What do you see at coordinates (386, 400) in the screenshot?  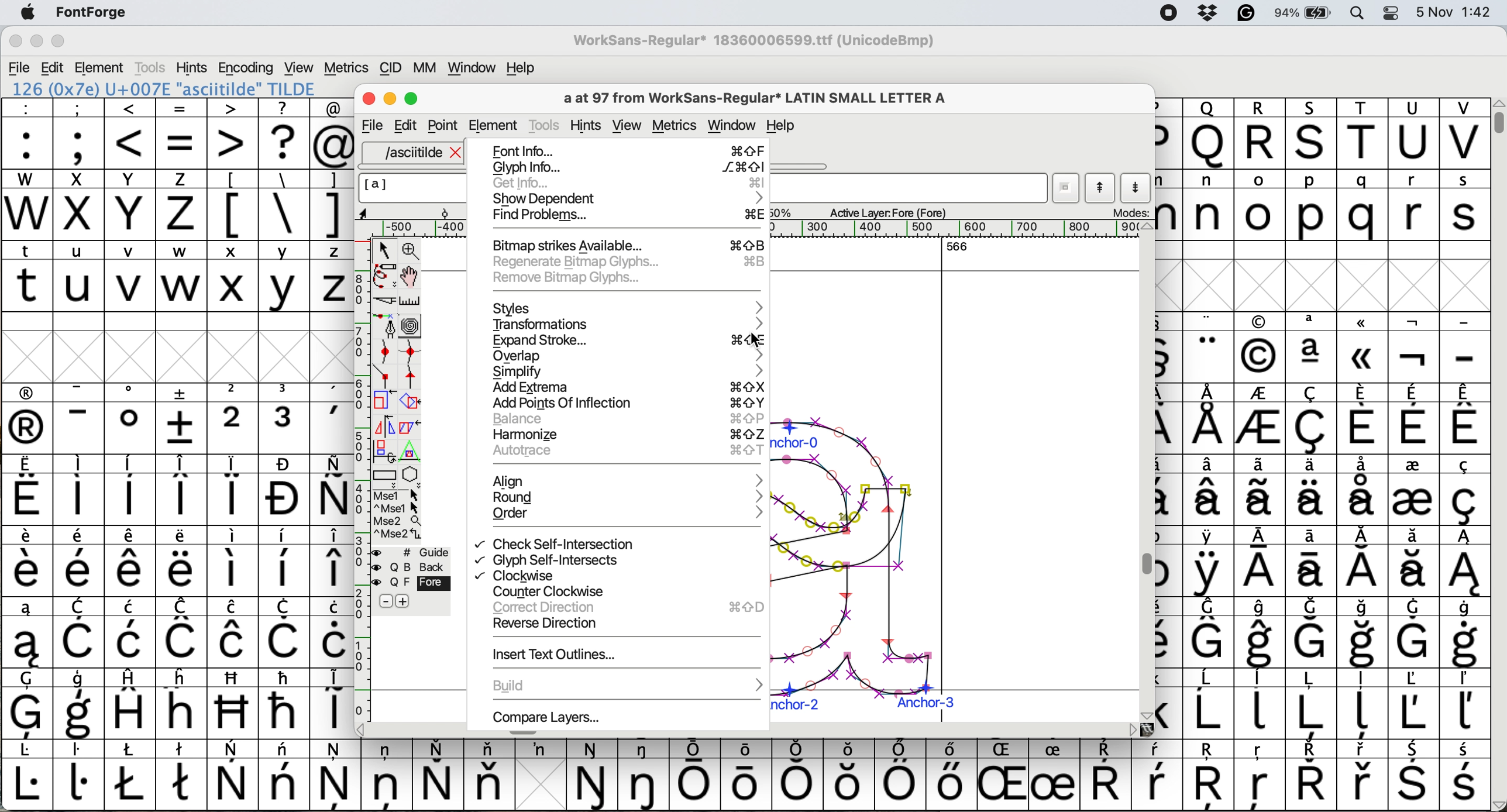 I see `scale selection` at bounding box center [386, 400].